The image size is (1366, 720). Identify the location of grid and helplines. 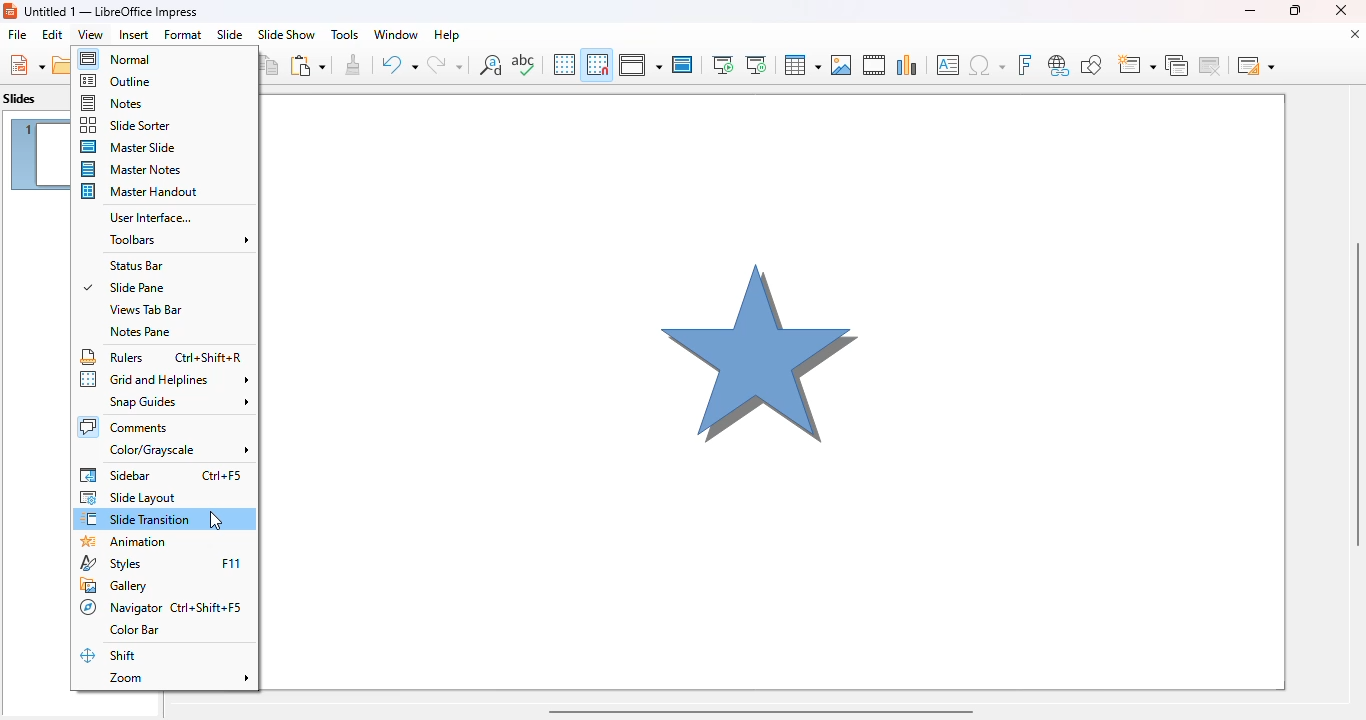
(166, 380).